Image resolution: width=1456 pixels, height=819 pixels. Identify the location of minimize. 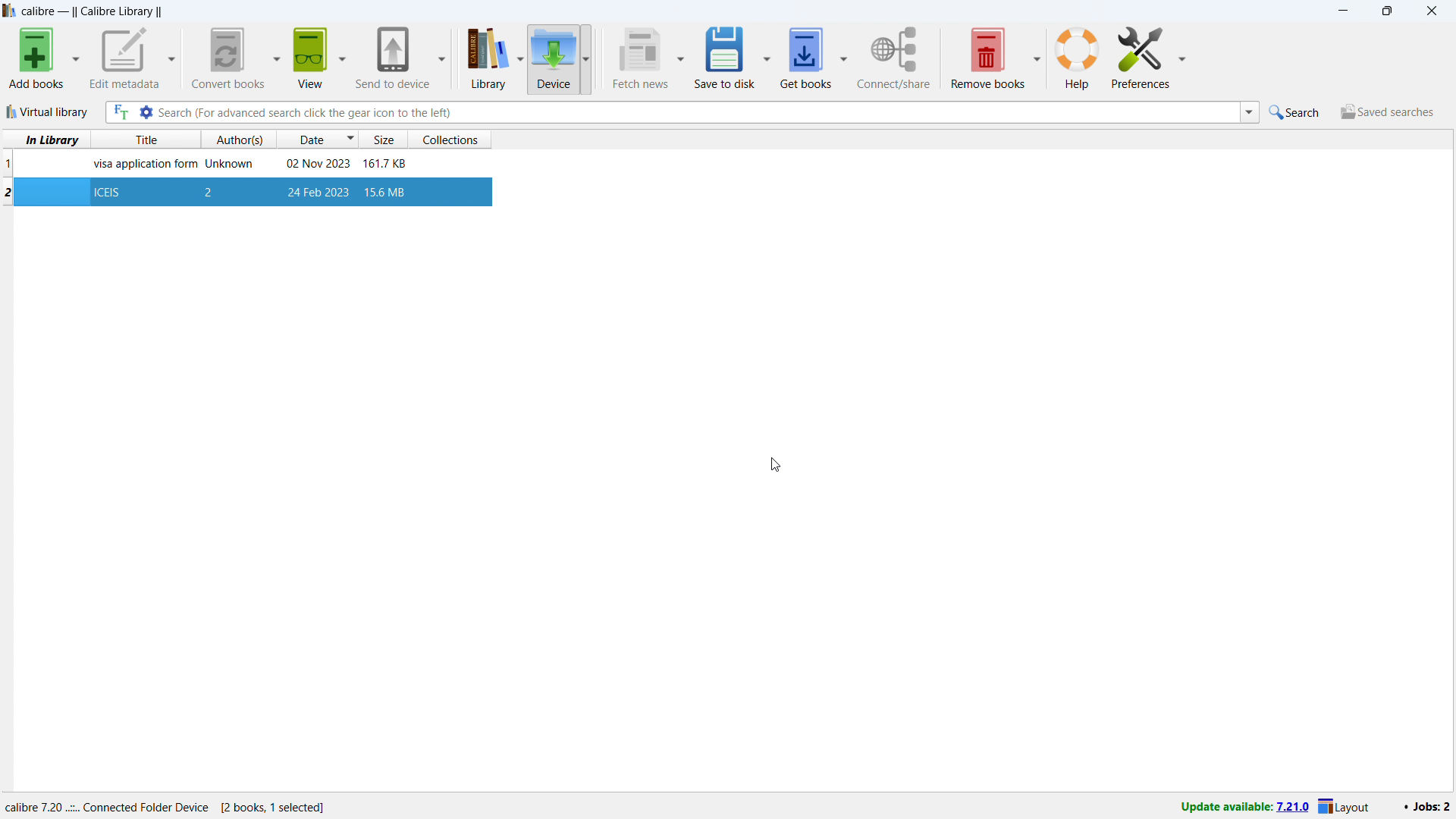
(1342, 11).